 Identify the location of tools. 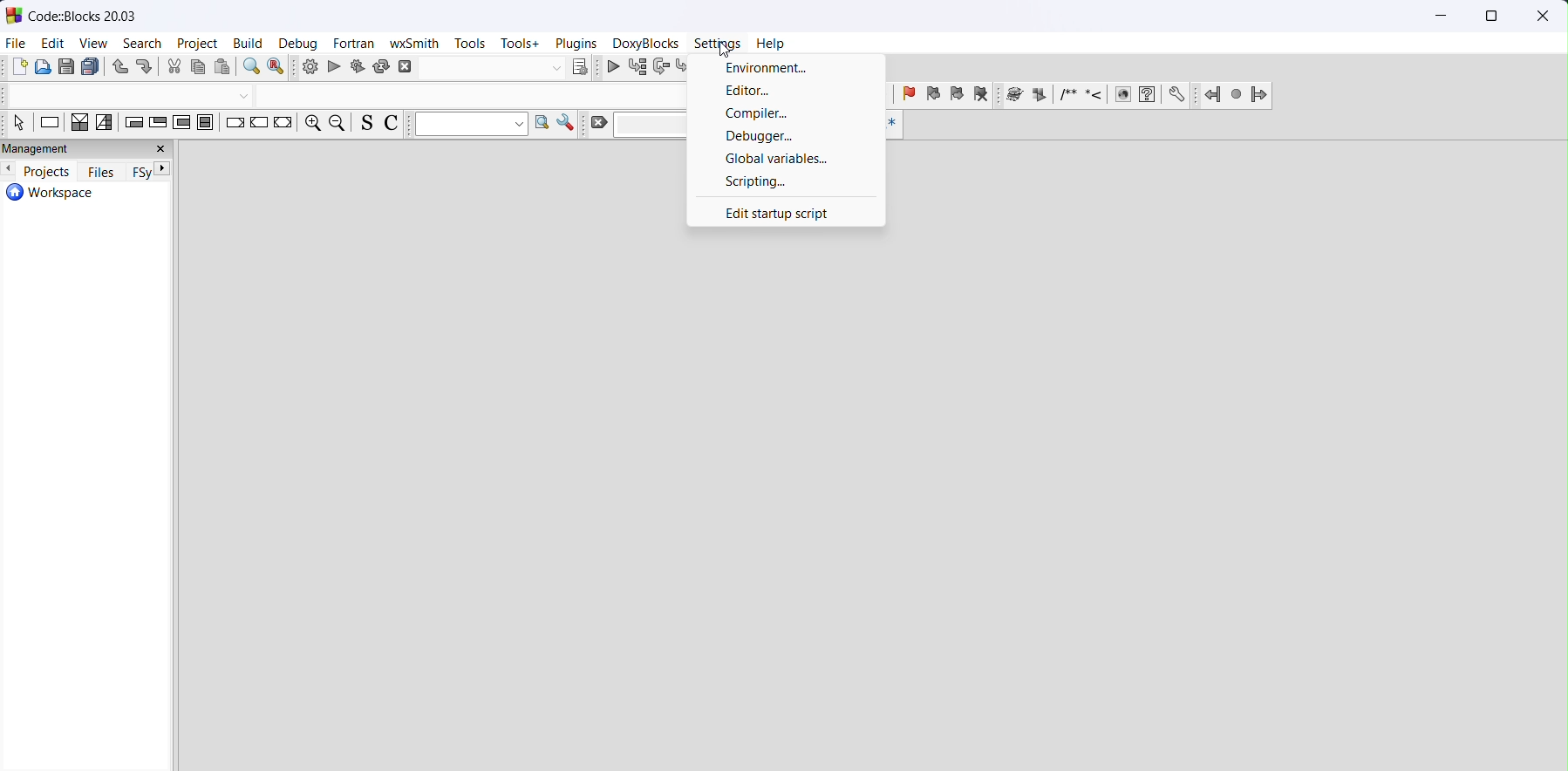
(467, 44).